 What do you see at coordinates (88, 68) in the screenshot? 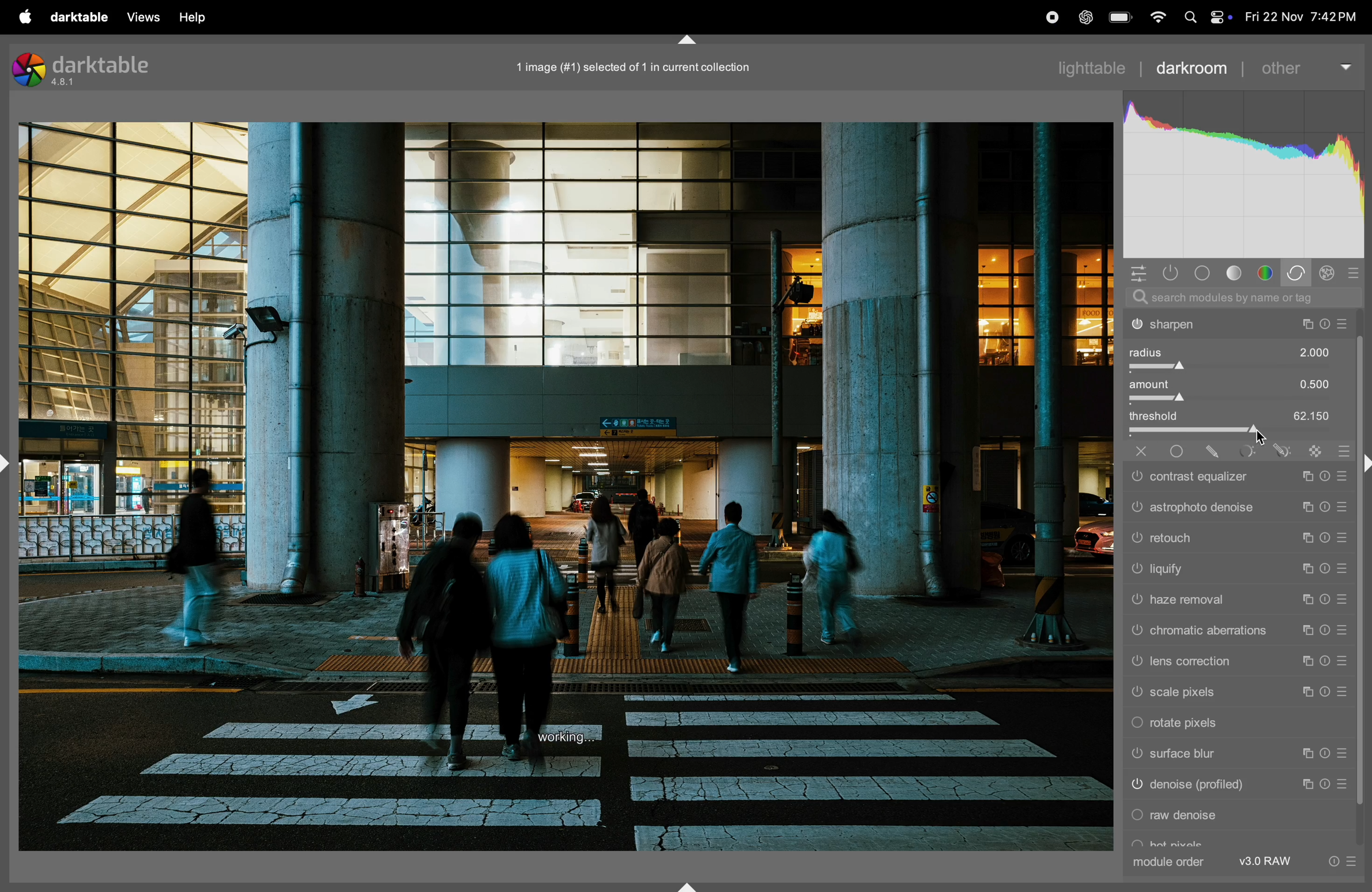
I see `darktable` at bounding box center [88, 68].